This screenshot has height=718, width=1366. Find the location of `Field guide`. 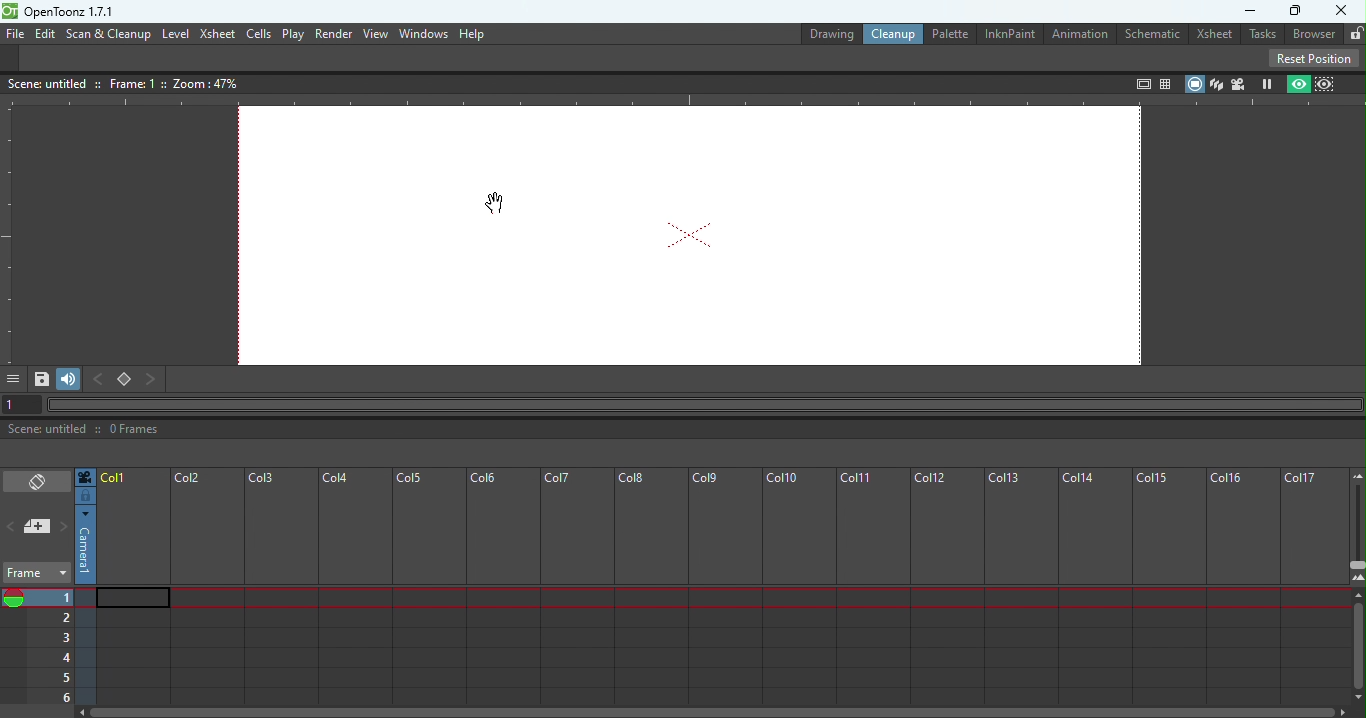

Field guide is located at coordinates (1168, 80).